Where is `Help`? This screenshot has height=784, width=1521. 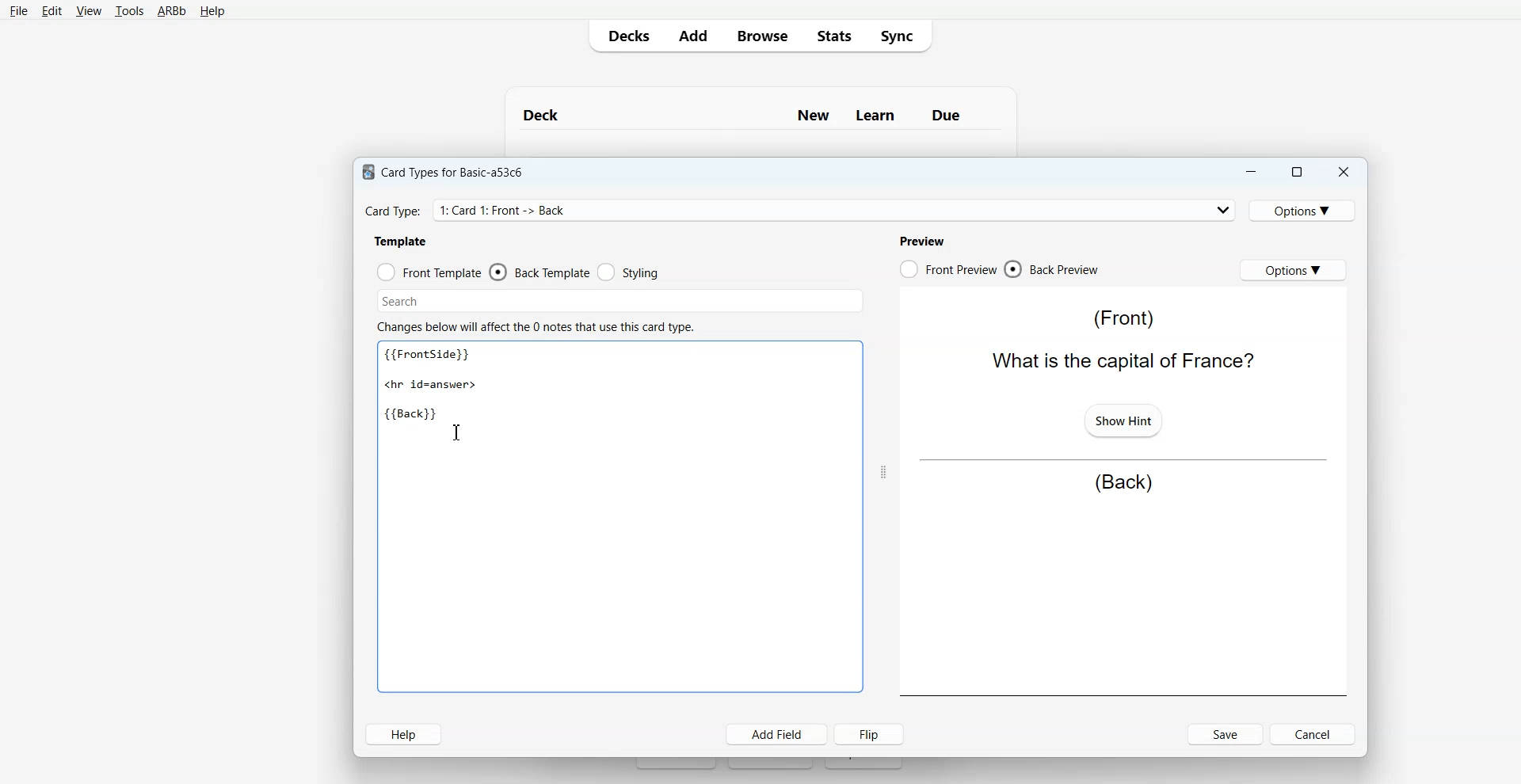 Help is located at coordinates (212, 12).